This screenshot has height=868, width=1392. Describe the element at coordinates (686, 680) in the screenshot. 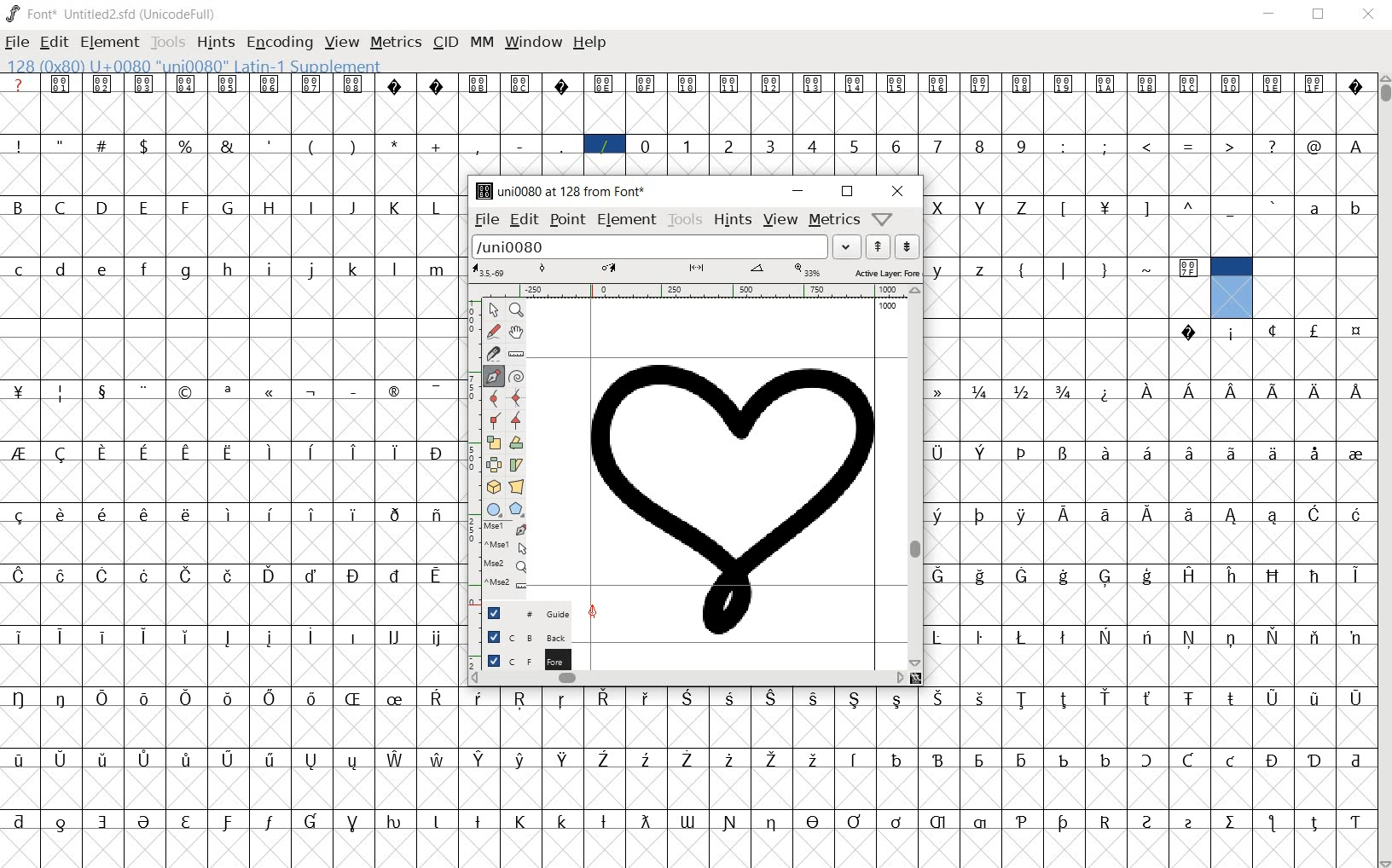

I see `scrollbar` at that location.